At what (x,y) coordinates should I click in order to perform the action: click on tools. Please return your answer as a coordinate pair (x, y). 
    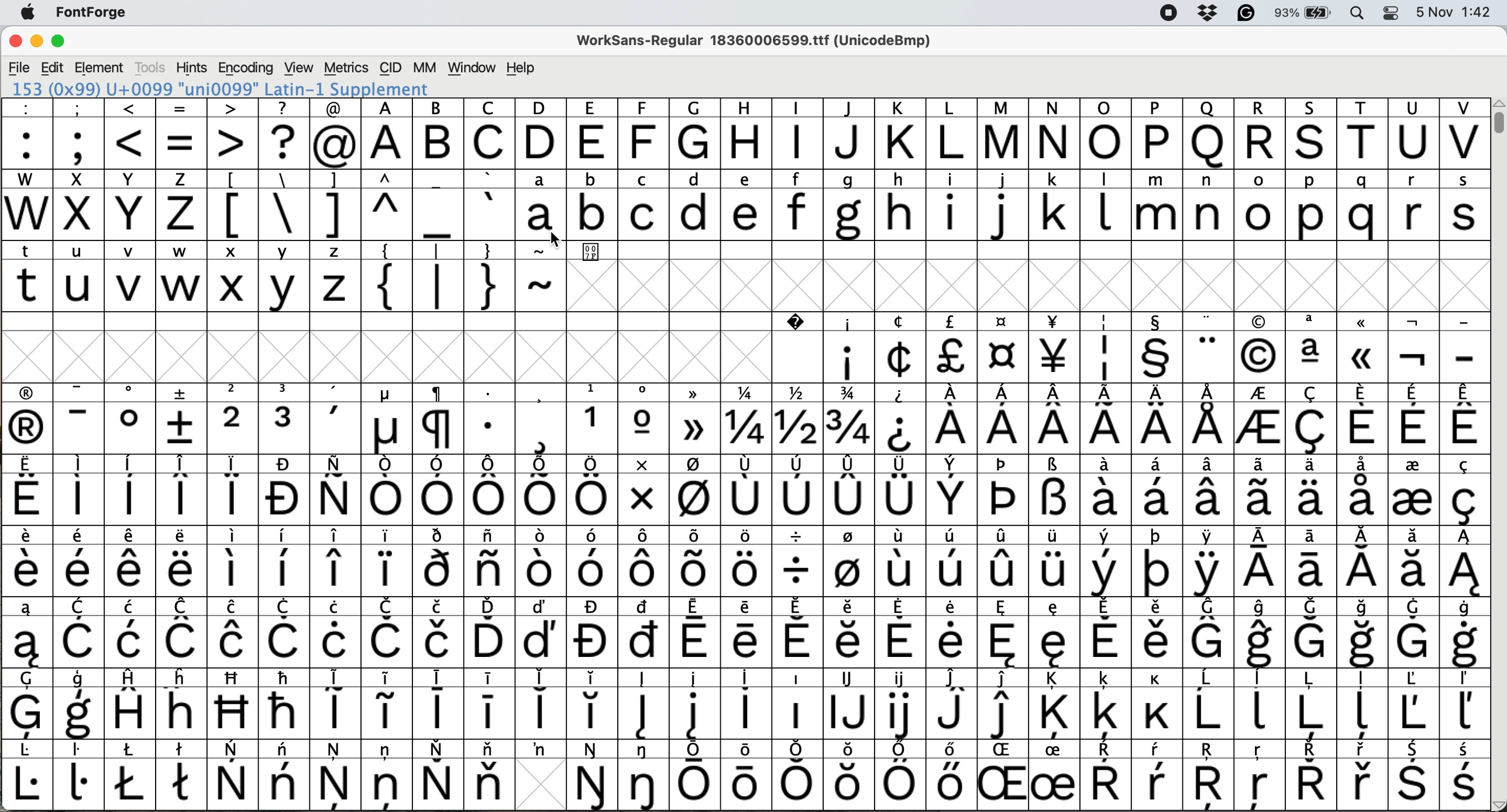
    Looking at the image, I should click on (149, 67).